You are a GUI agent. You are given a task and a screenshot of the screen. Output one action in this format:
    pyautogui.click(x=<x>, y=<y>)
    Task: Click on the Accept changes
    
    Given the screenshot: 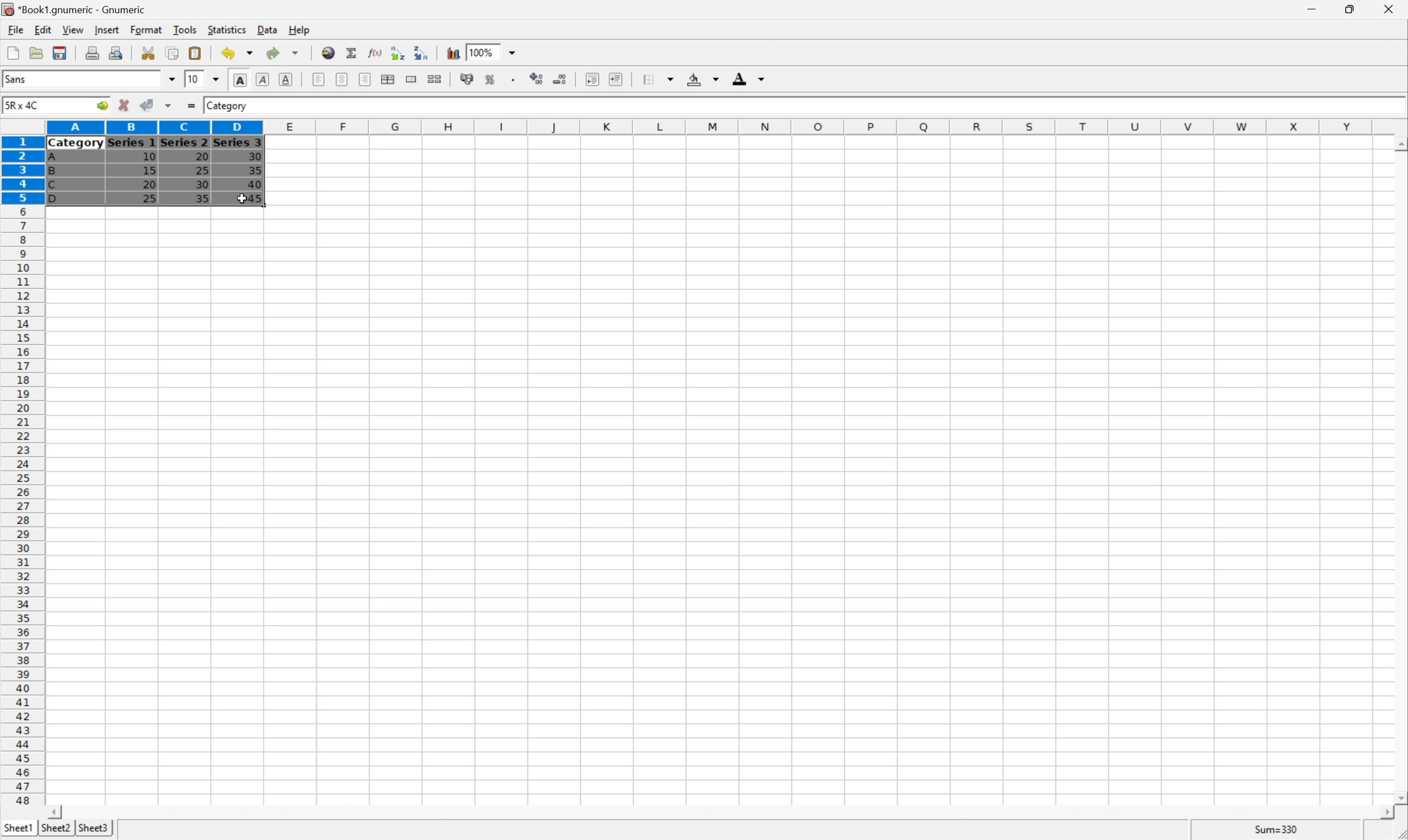 What is the action you would take?
    pyautogui.click(x=145, y=104)
    